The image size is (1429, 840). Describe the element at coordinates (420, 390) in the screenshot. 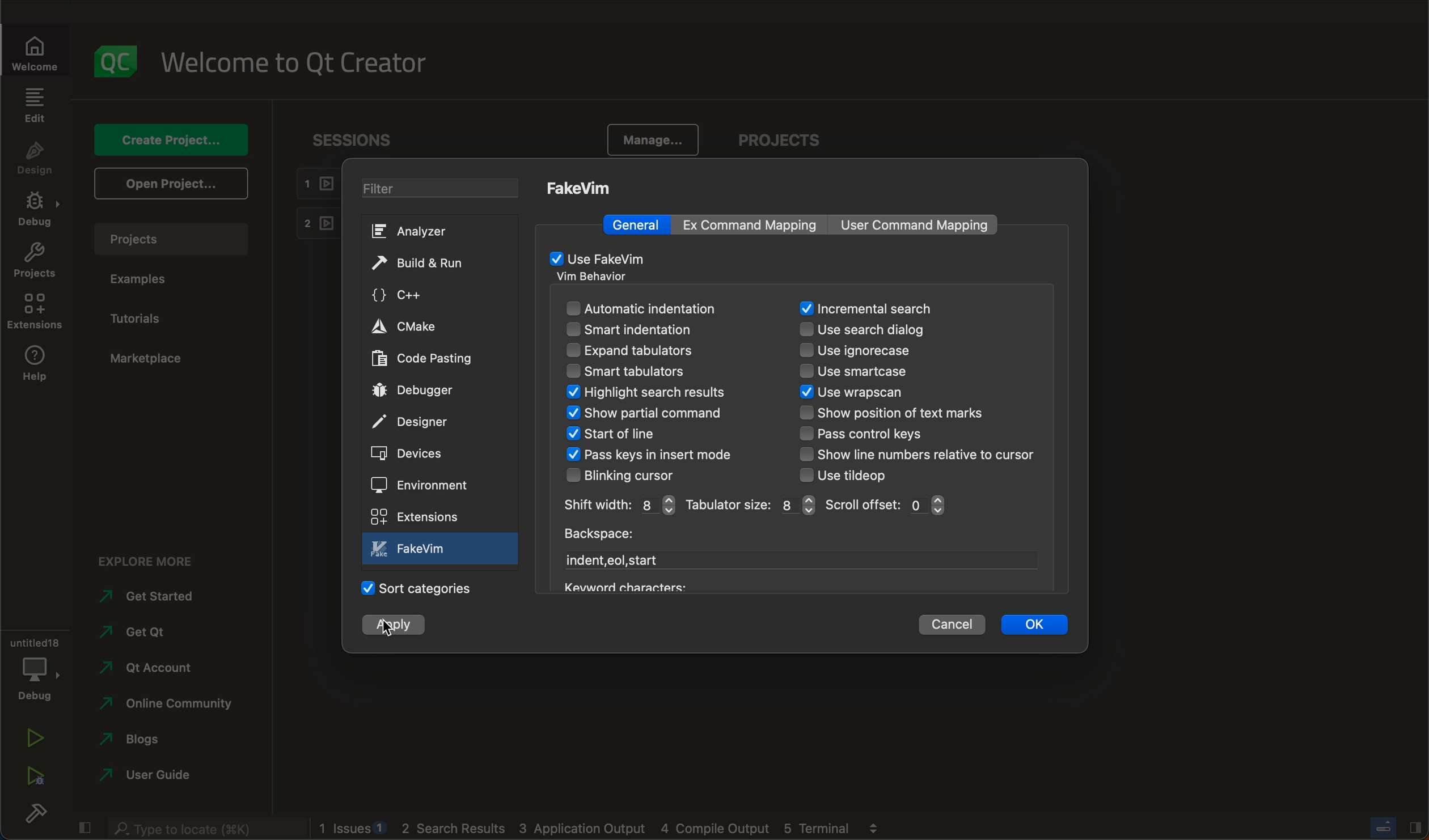

I see `debugger` at that location.